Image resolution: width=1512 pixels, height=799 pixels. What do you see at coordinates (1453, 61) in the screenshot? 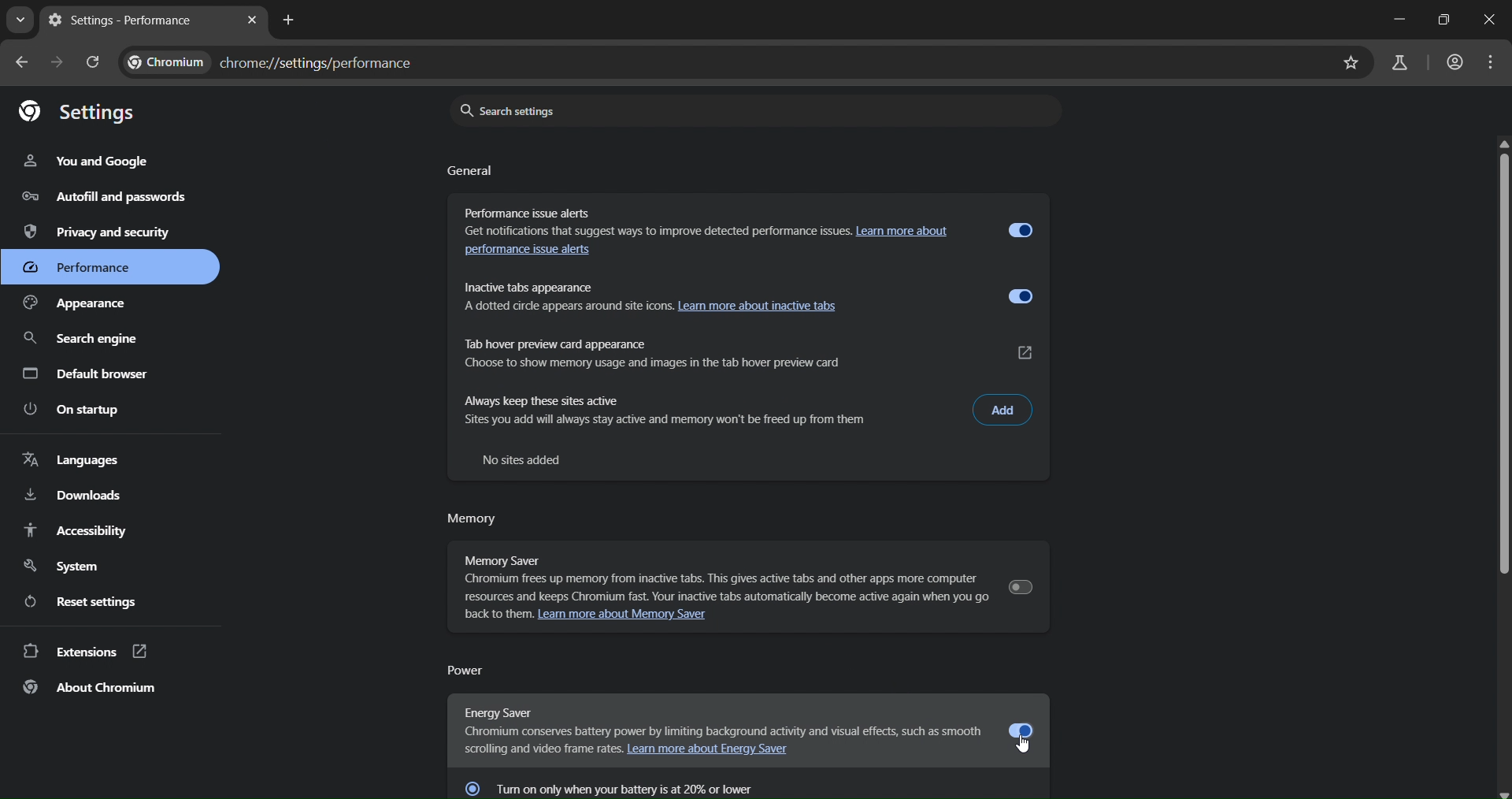
I see `account` at bounding box center [1453, 61].